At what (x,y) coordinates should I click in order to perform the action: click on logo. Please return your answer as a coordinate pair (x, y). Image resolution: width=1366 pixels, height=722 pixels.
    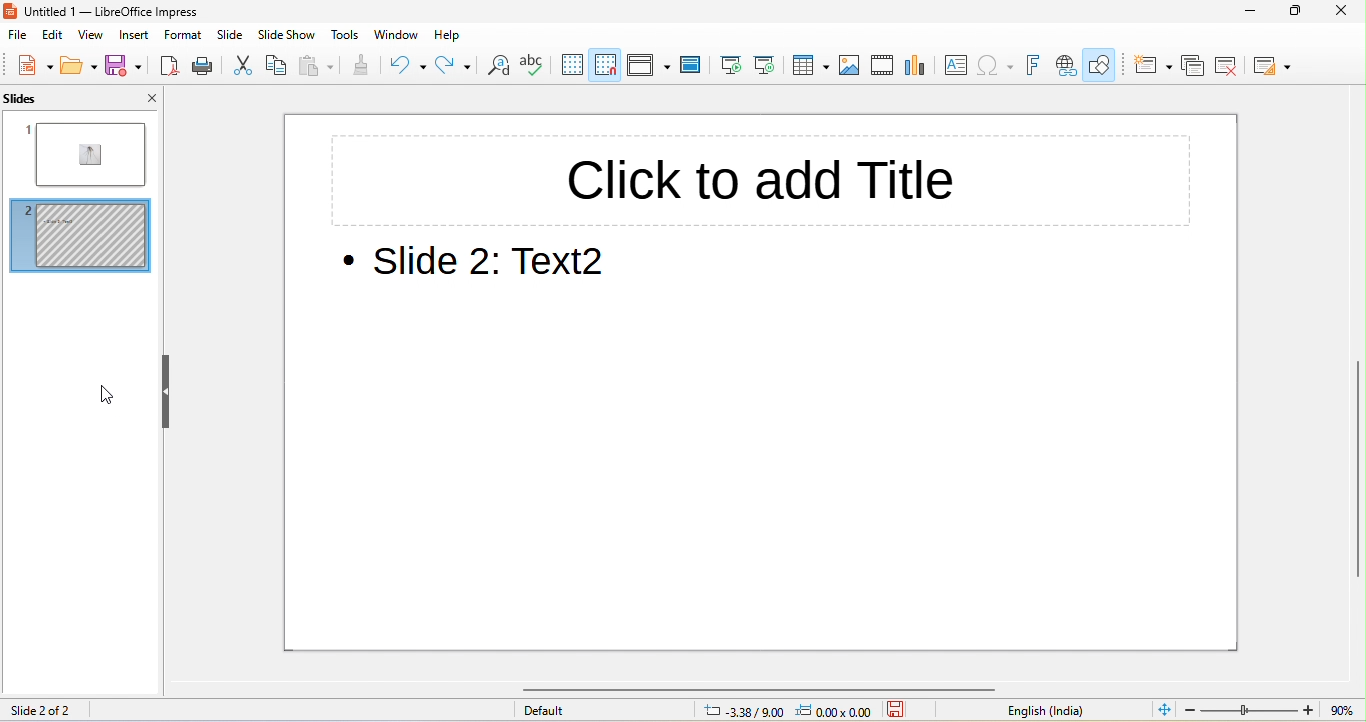
    Looking at the image, I should click on (13, 12).